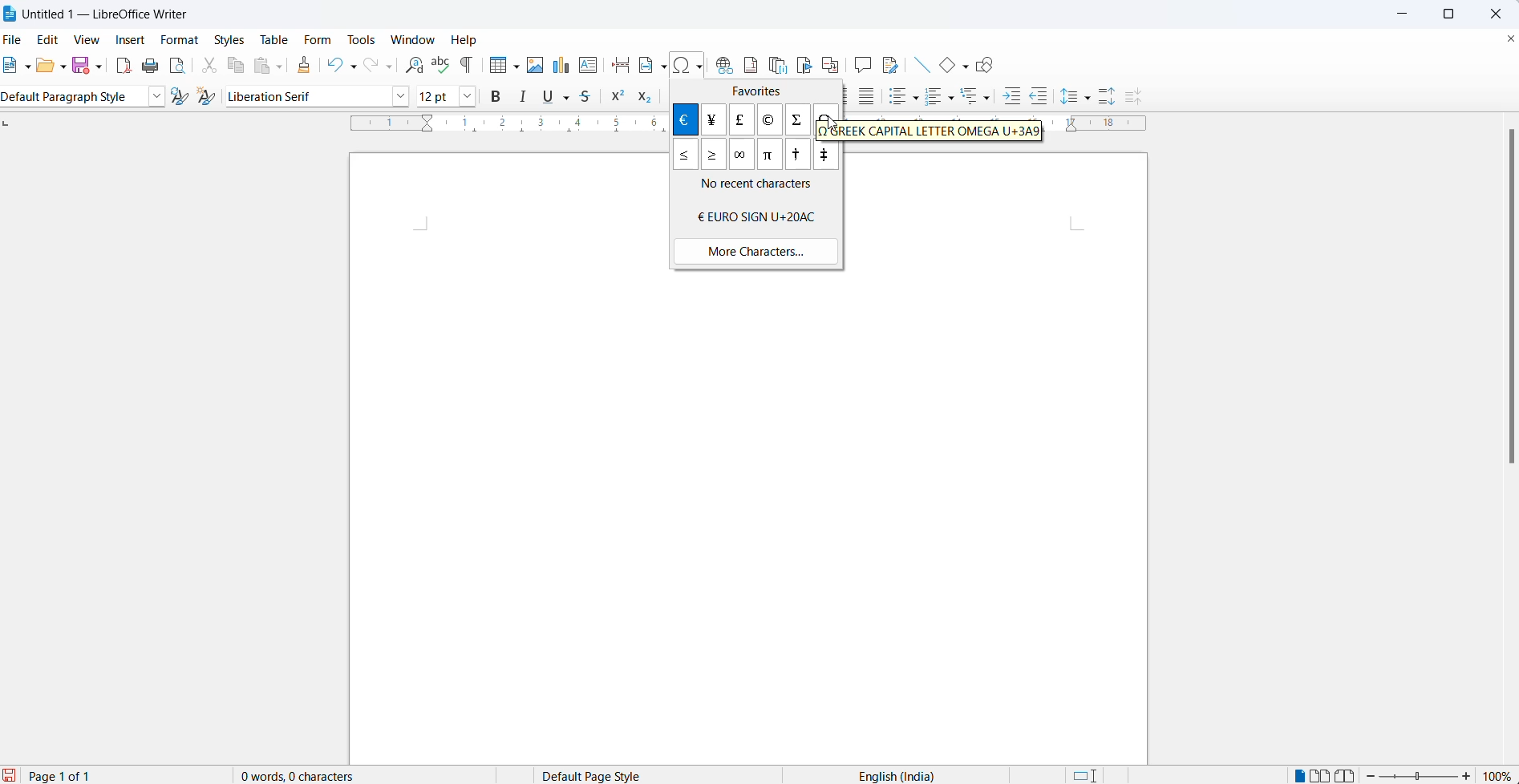 The height and width of the screenshot is (784, 1519). Describe the element at coordinates (777, 63) in the screenshot. I see `insert endnote` at that location.